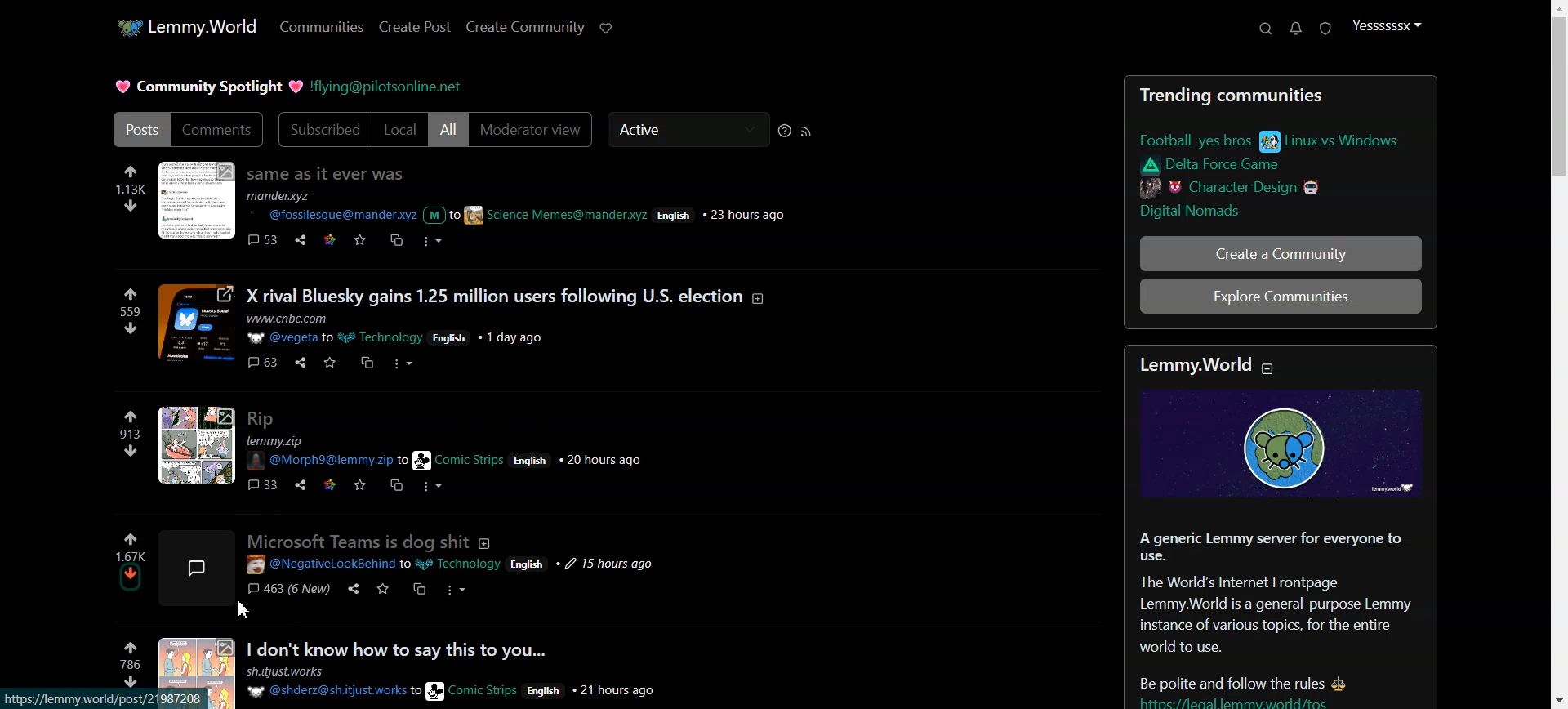 This screenshot has height=709, width=1568. What do you see at coordinates (379, 589) in the screenshot?
I see `Save` at bounding box center [379, 589].